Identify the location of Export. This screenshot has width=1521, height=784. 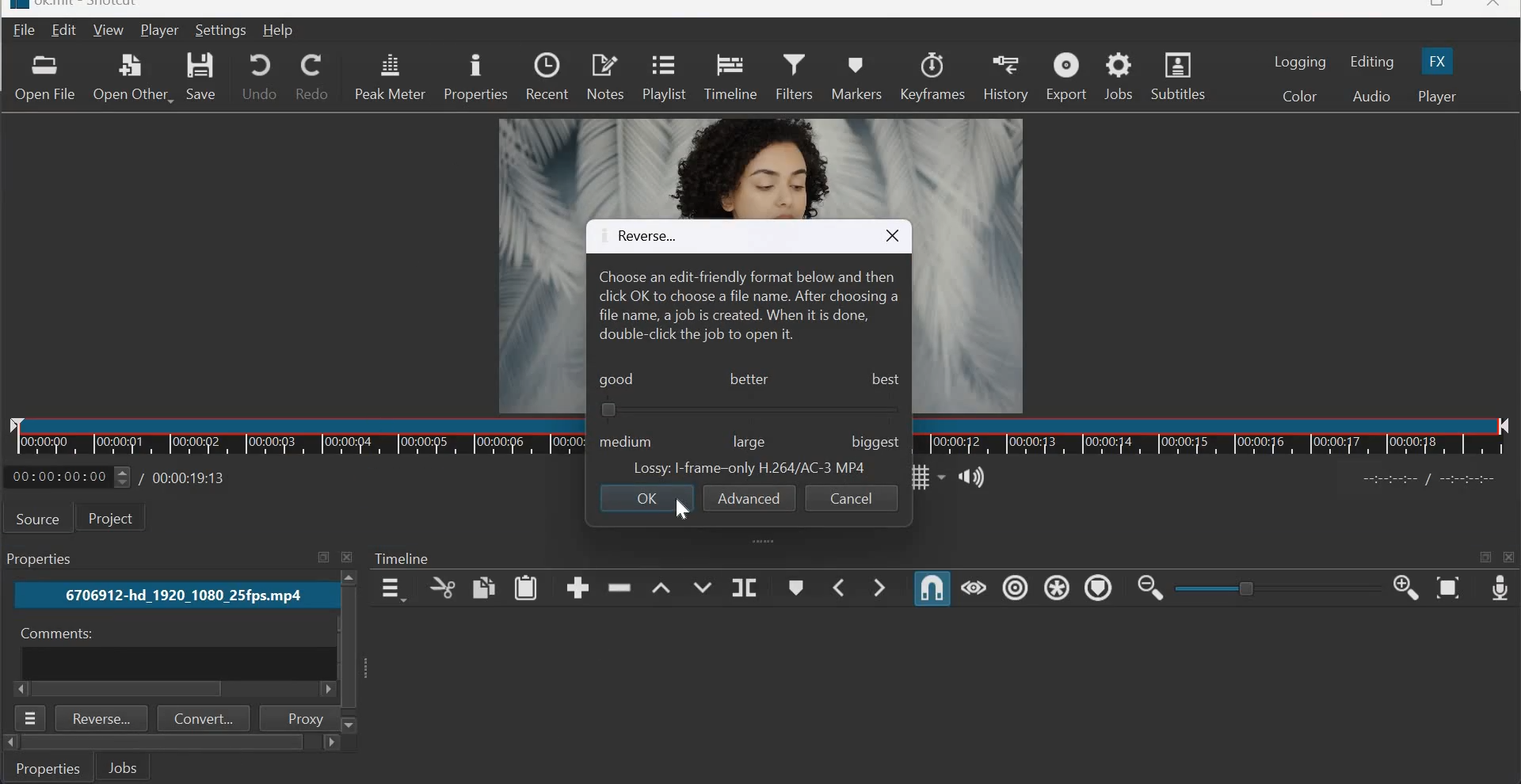
(1066, 75).